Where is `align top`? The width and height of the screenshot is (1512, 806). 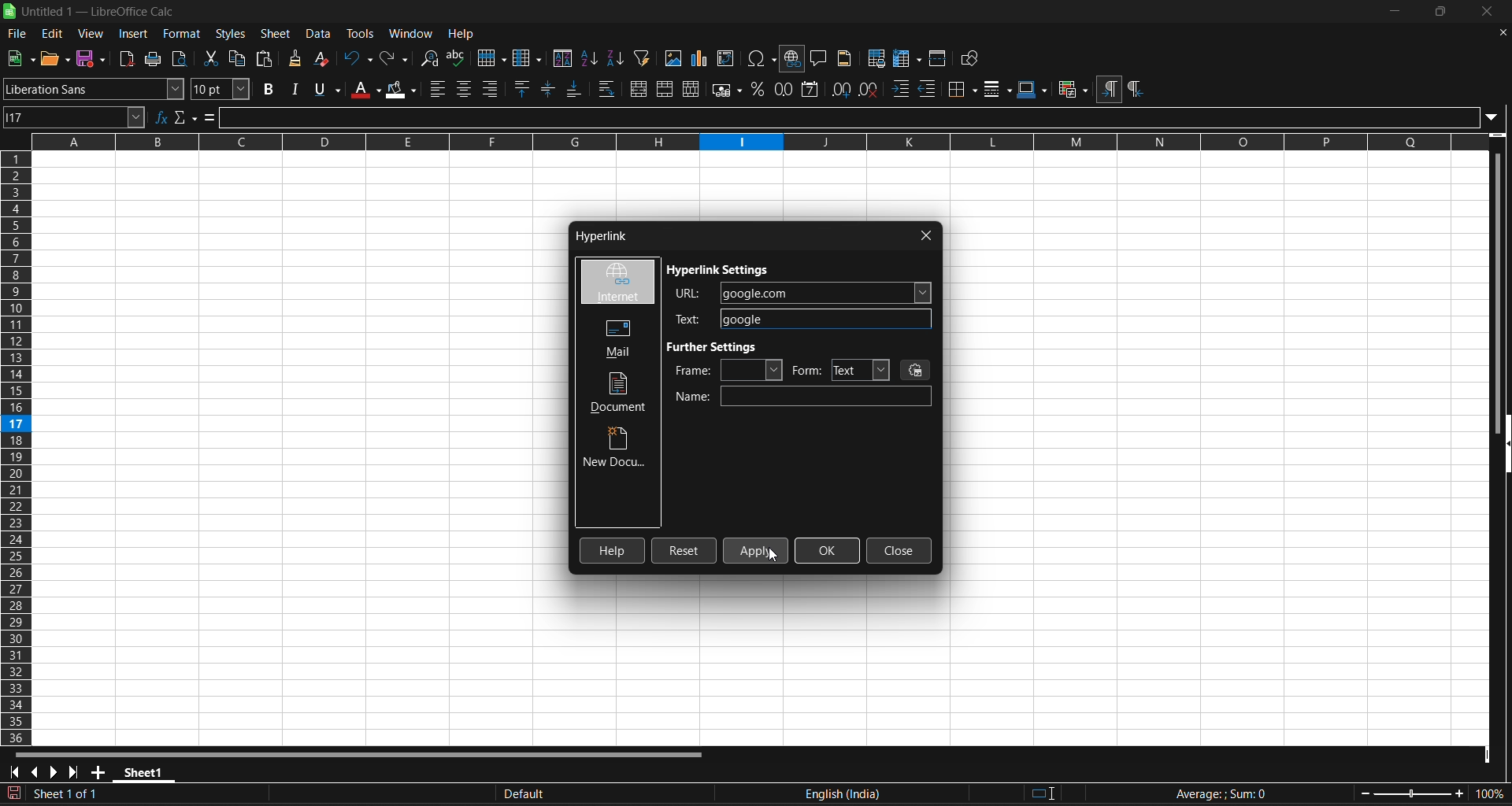 align top is located at coordinates (524, 88).